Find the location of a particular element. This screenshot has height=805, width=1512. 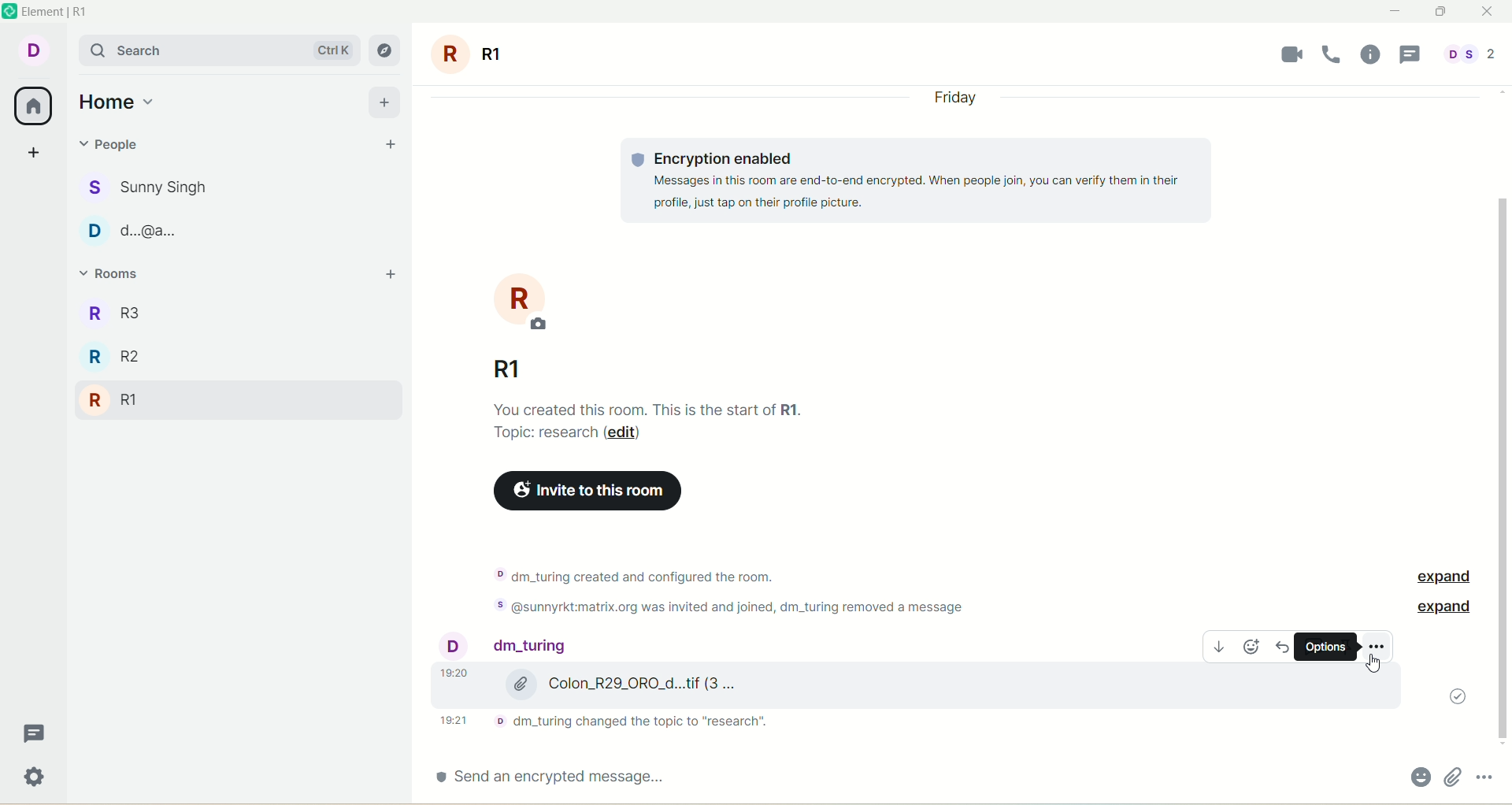

options is located at coordinates (1329, 644).